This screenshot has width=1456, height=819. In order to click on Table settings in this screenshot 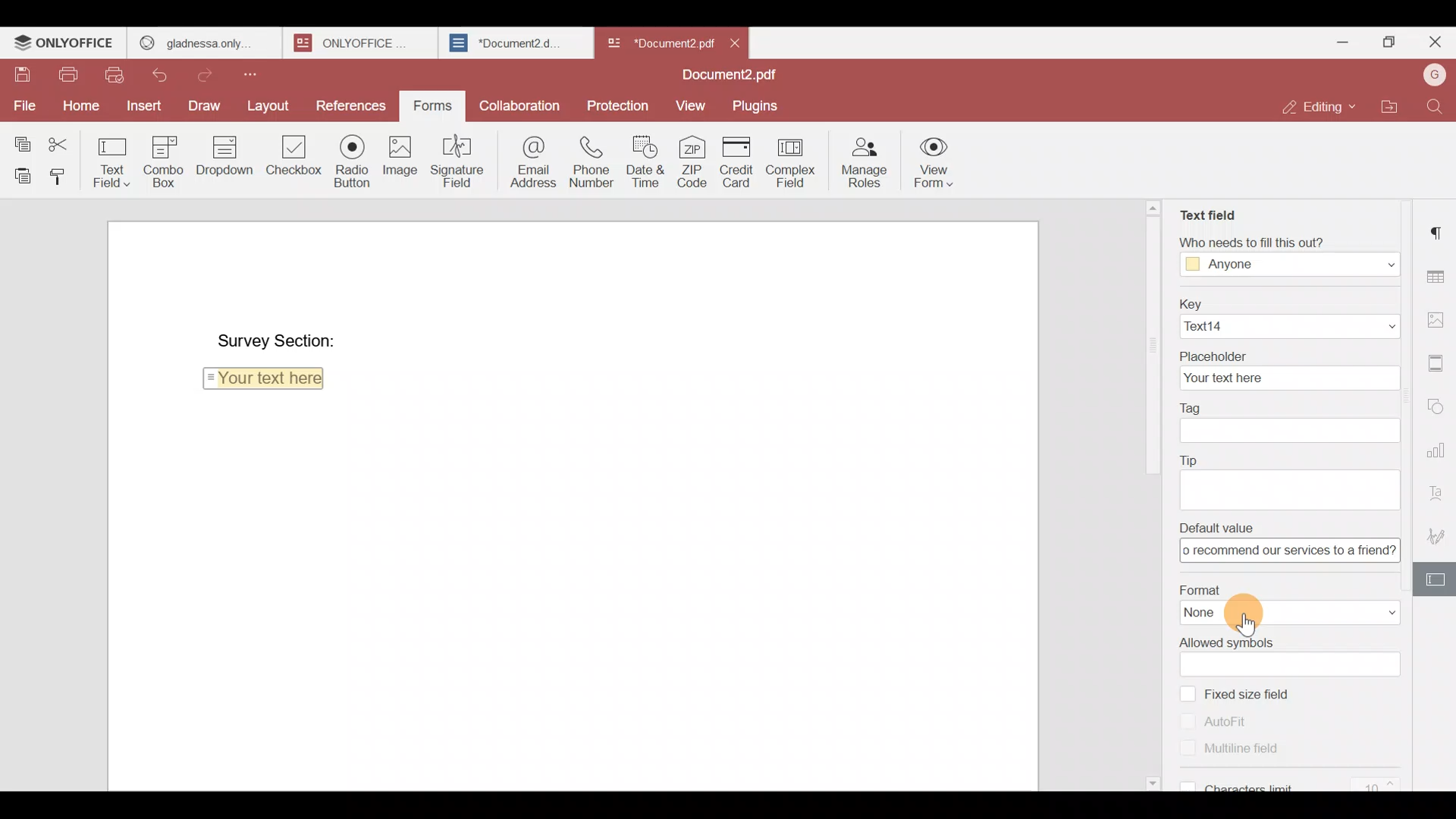, I will do `click(1439, 275)`.